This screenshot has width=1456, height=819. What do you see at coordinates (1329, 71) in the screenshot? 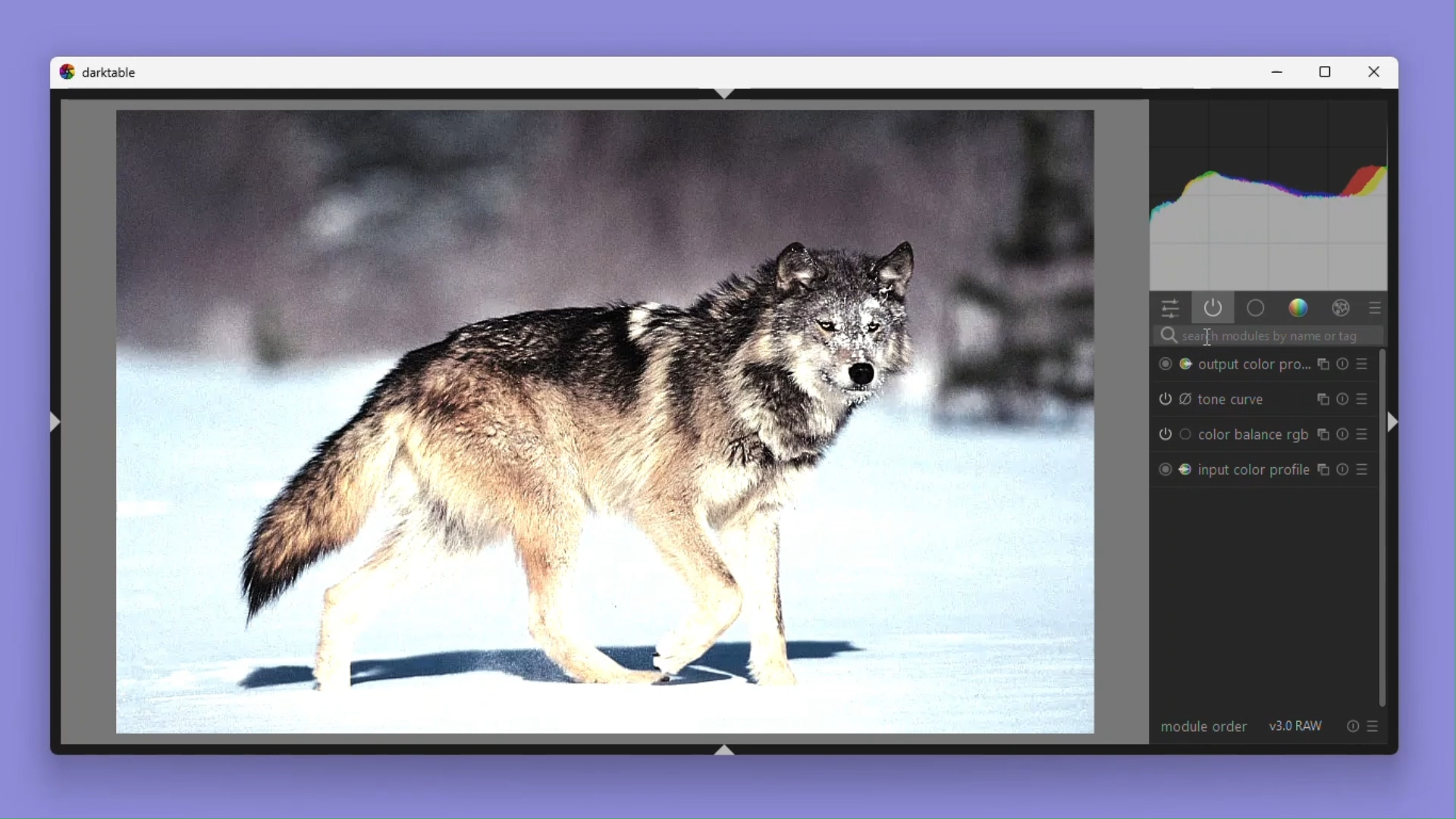
I see `Maximize` at bounding box center [1329, 71].